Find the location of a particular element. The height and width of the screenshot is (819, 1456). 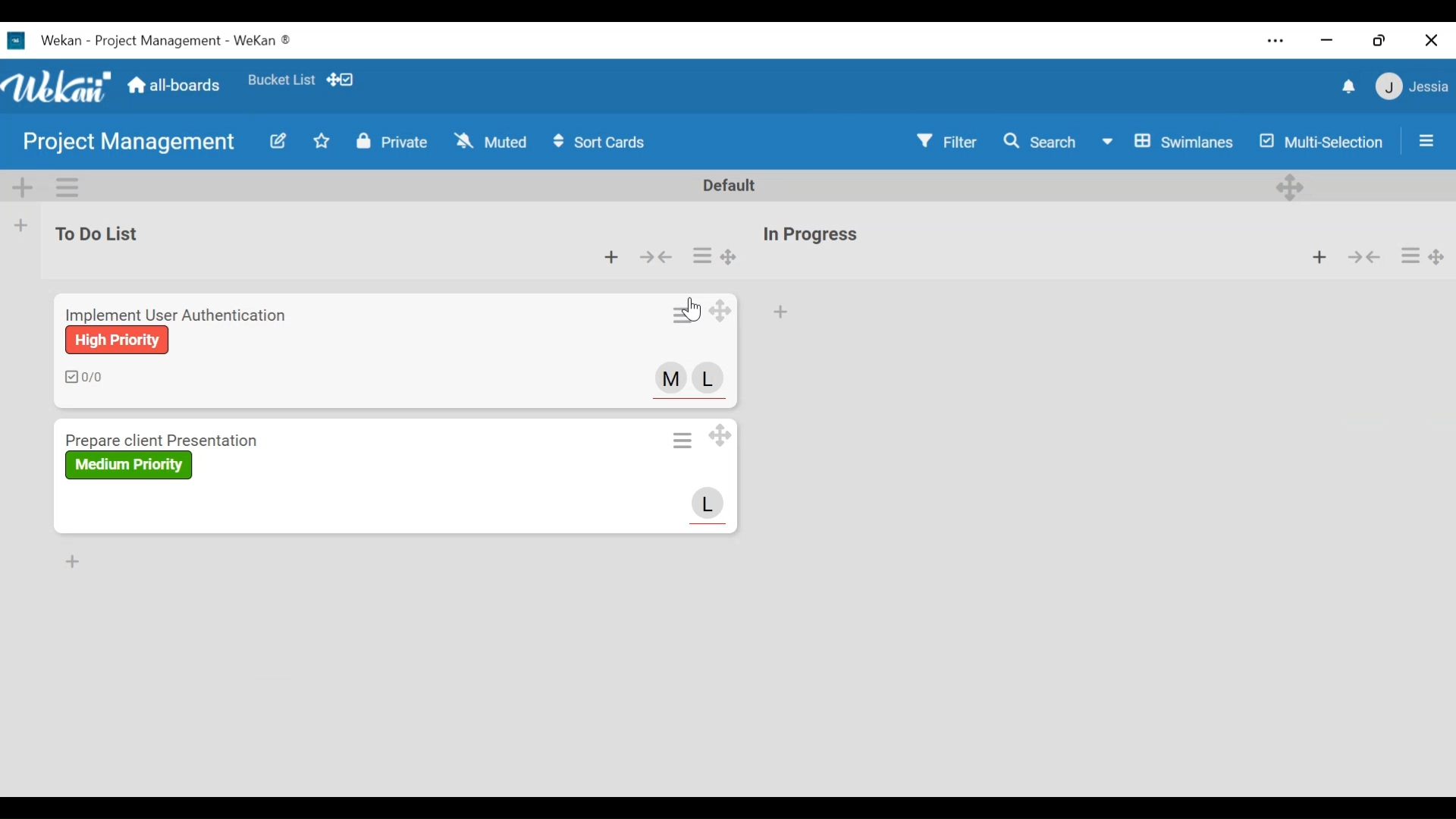

Muted is located at coordinates (491, 142).